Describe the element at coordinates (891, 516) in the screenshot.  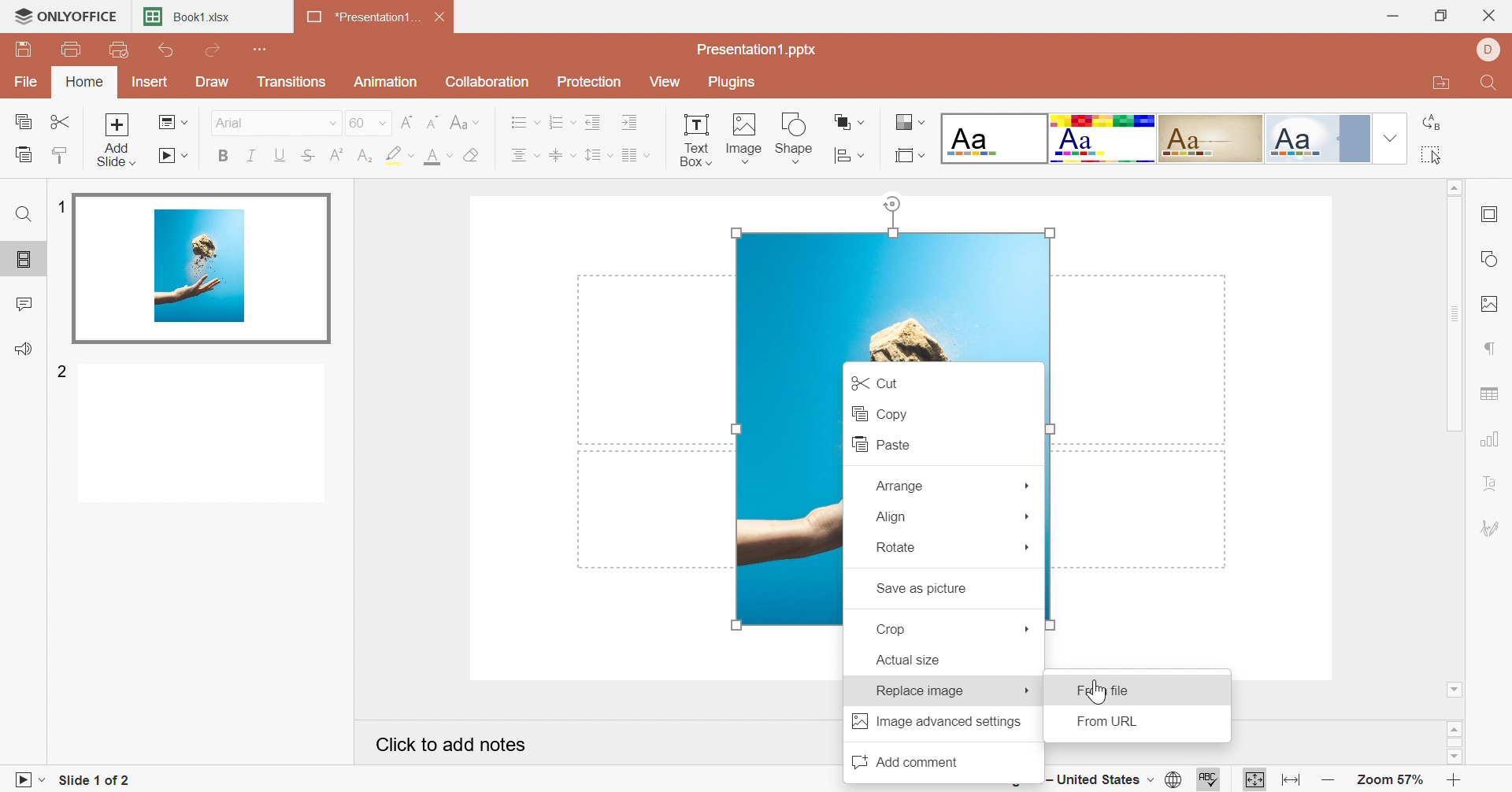
I see `Align` at that location.